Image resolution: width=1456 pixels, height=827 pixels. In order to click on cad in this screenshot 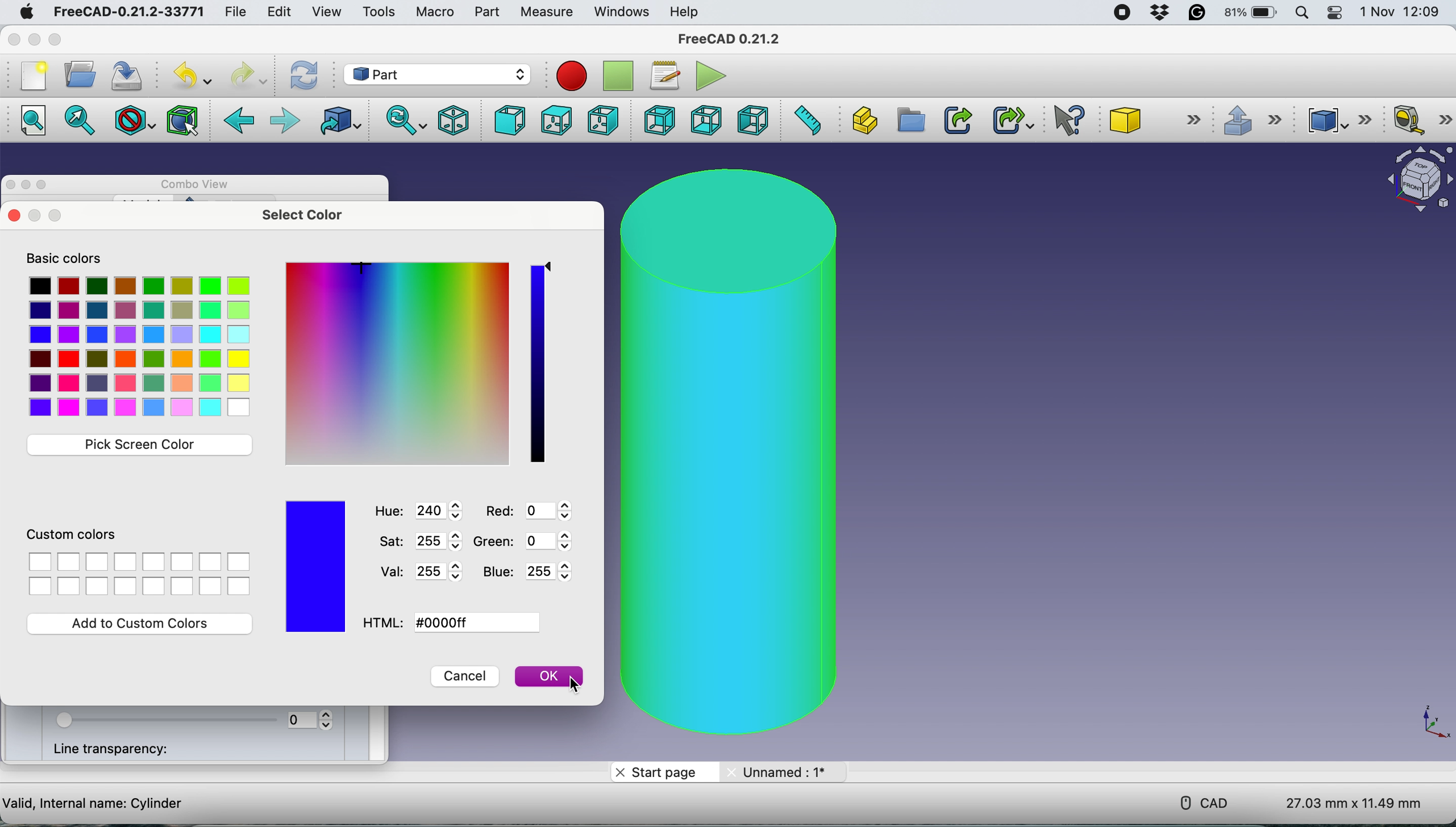, I will do `click(1204, 801)`.